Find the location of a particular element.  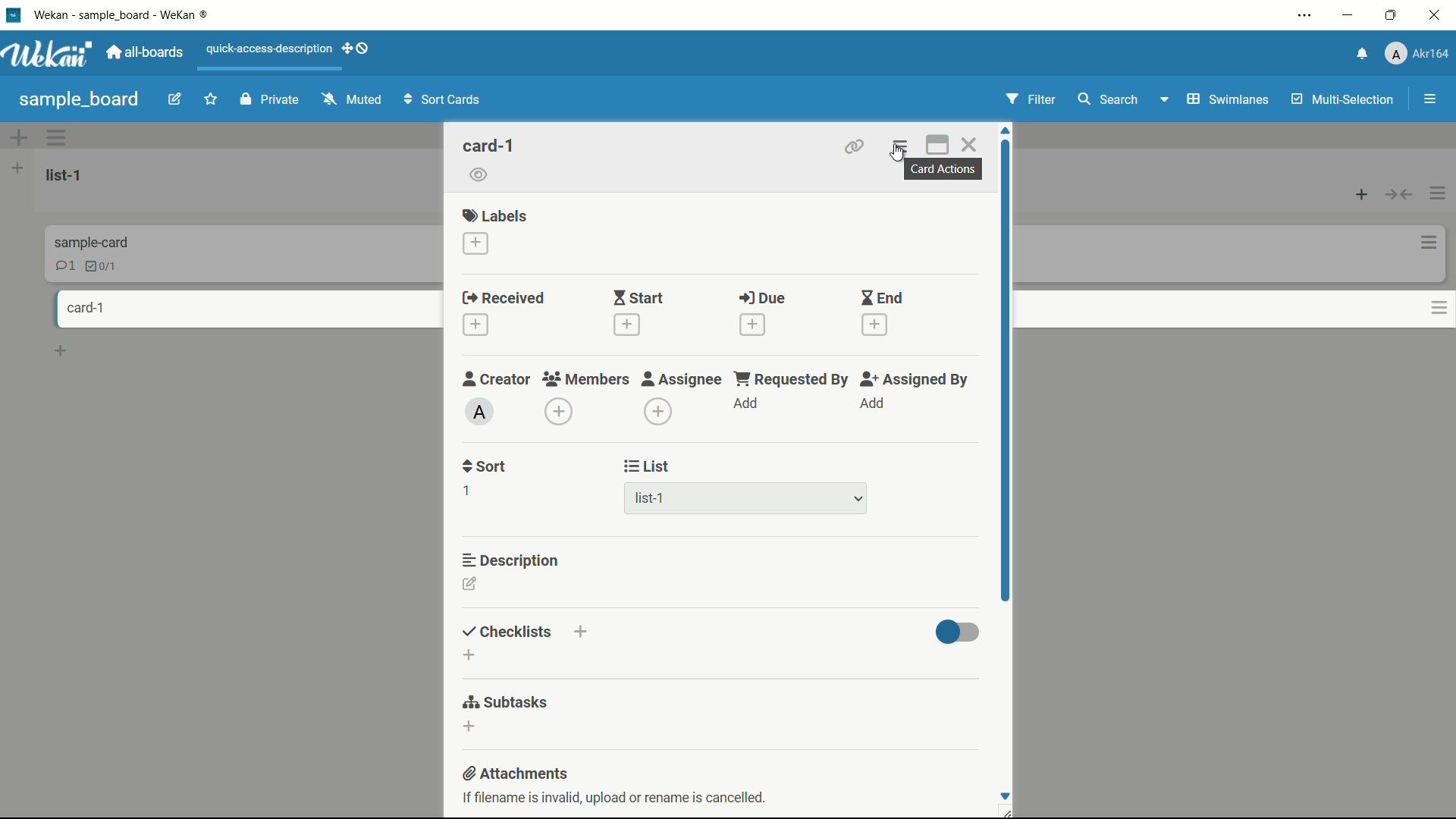

members is located at coordinates (585, 380).